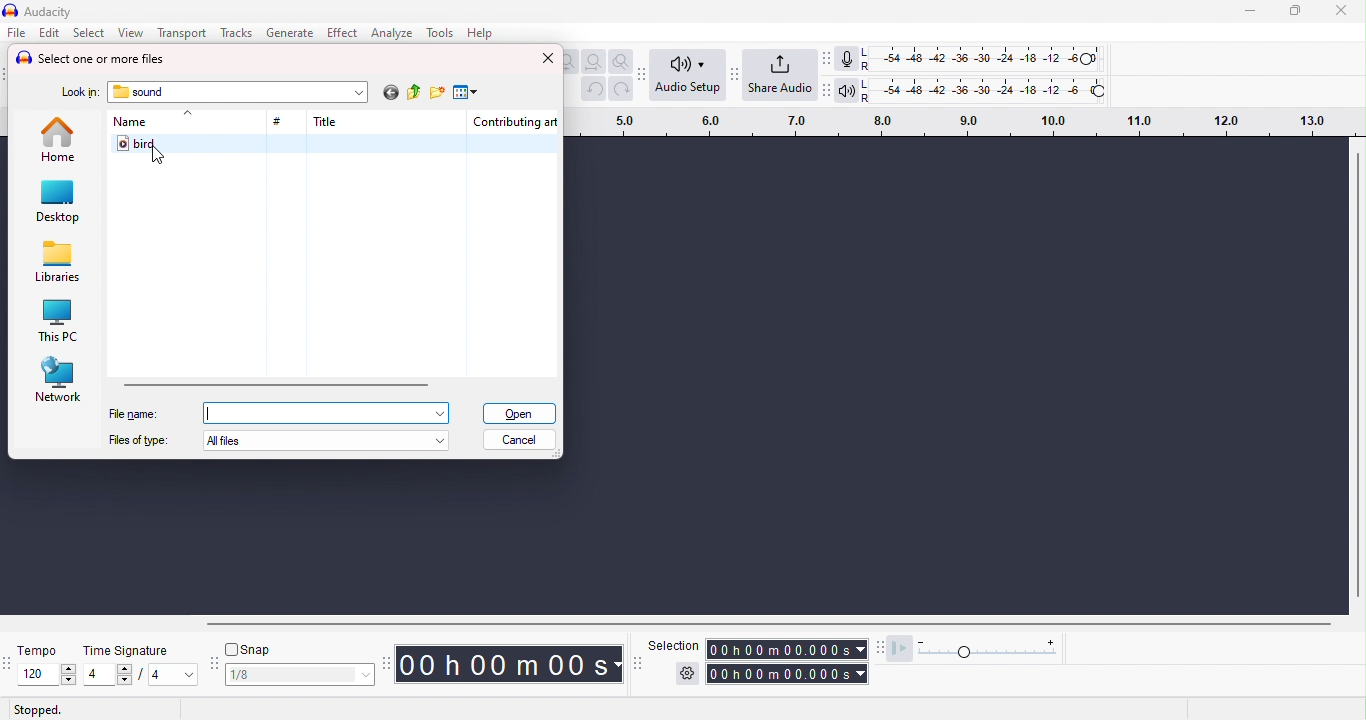 Image resolution: width=1366 pixels, height=720 pixels. I want to click on typing cursor, so click(212, 412).